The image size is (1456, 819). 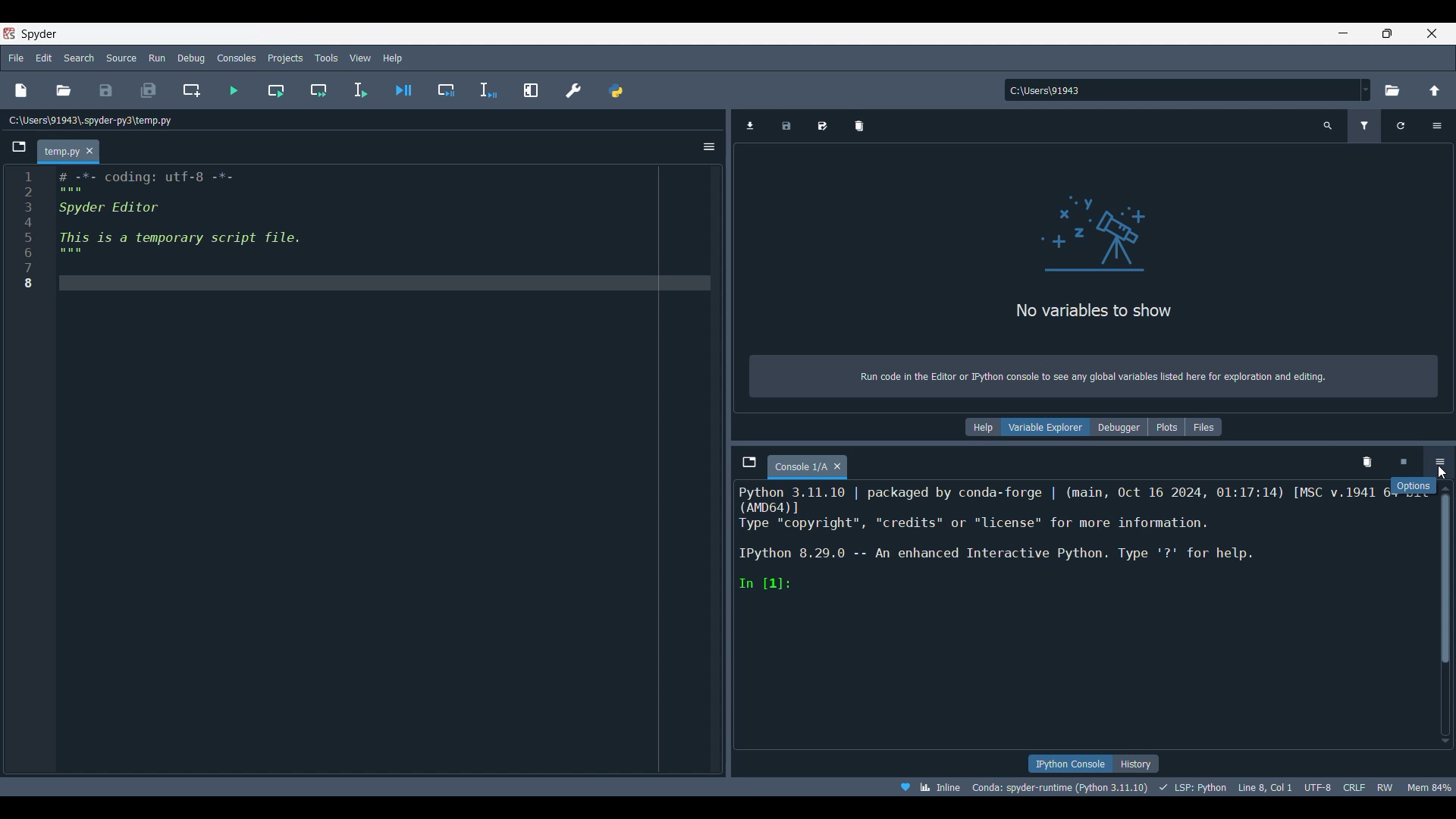 What do you see at coordinates (1070, 764) in the screenshot?
I see `IPython console` at bounding box center [1070, 764].